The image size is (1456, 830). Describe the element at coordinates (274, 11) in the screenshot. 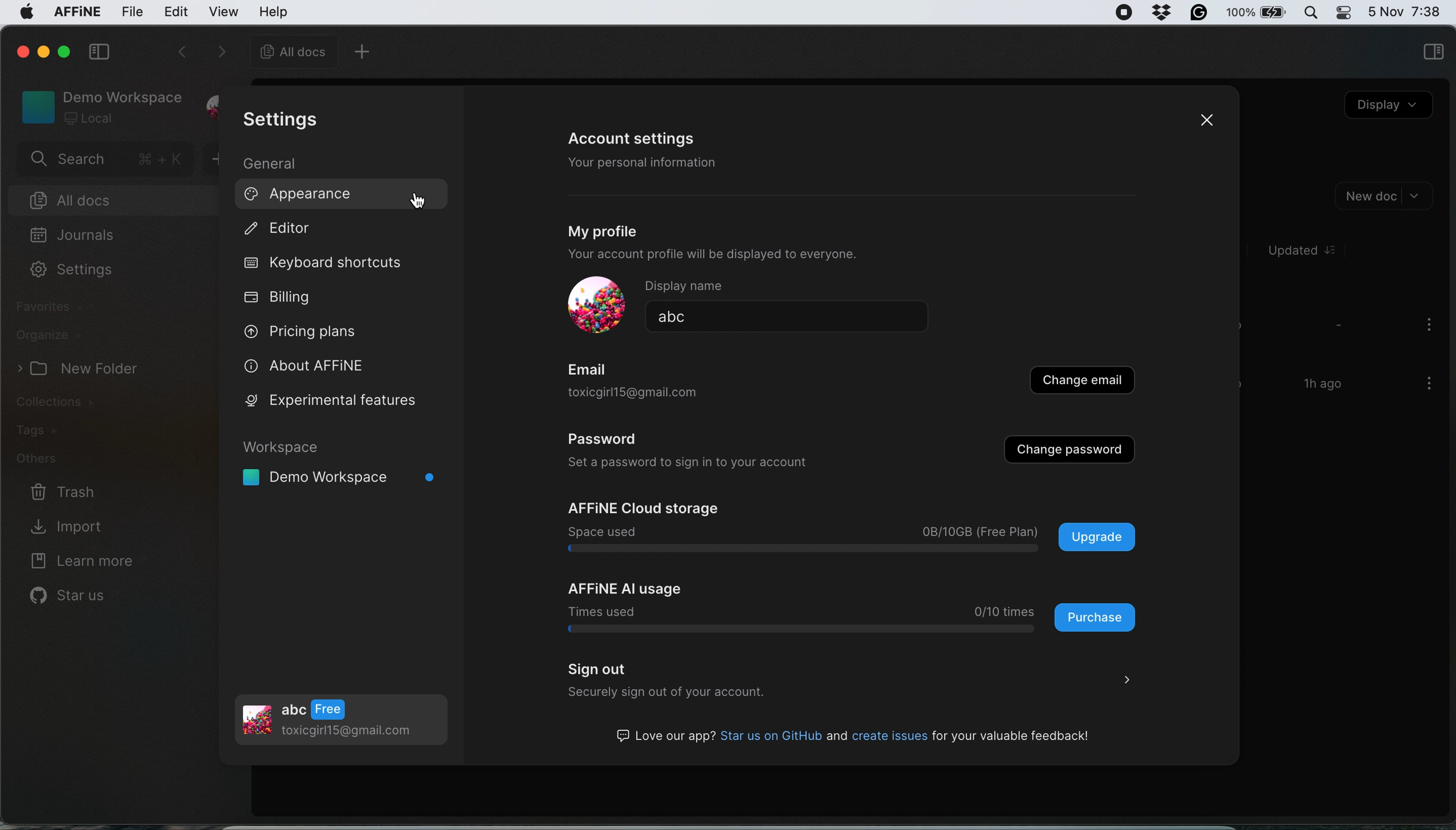

I see `help` at that location.